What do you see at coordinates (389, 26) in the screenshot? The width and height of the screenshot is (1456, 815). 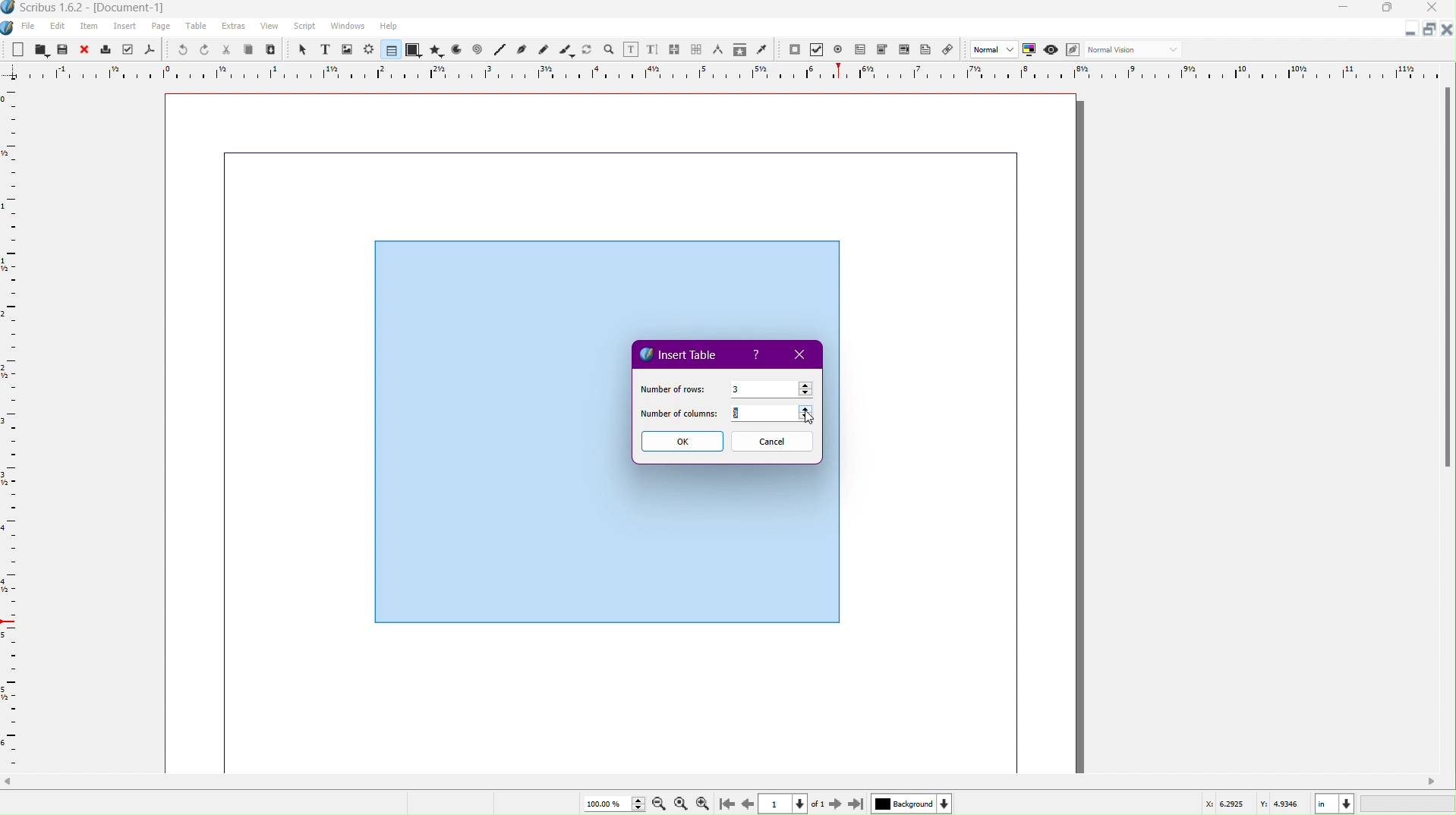 I see `Help` at bounding box center [389, 26].